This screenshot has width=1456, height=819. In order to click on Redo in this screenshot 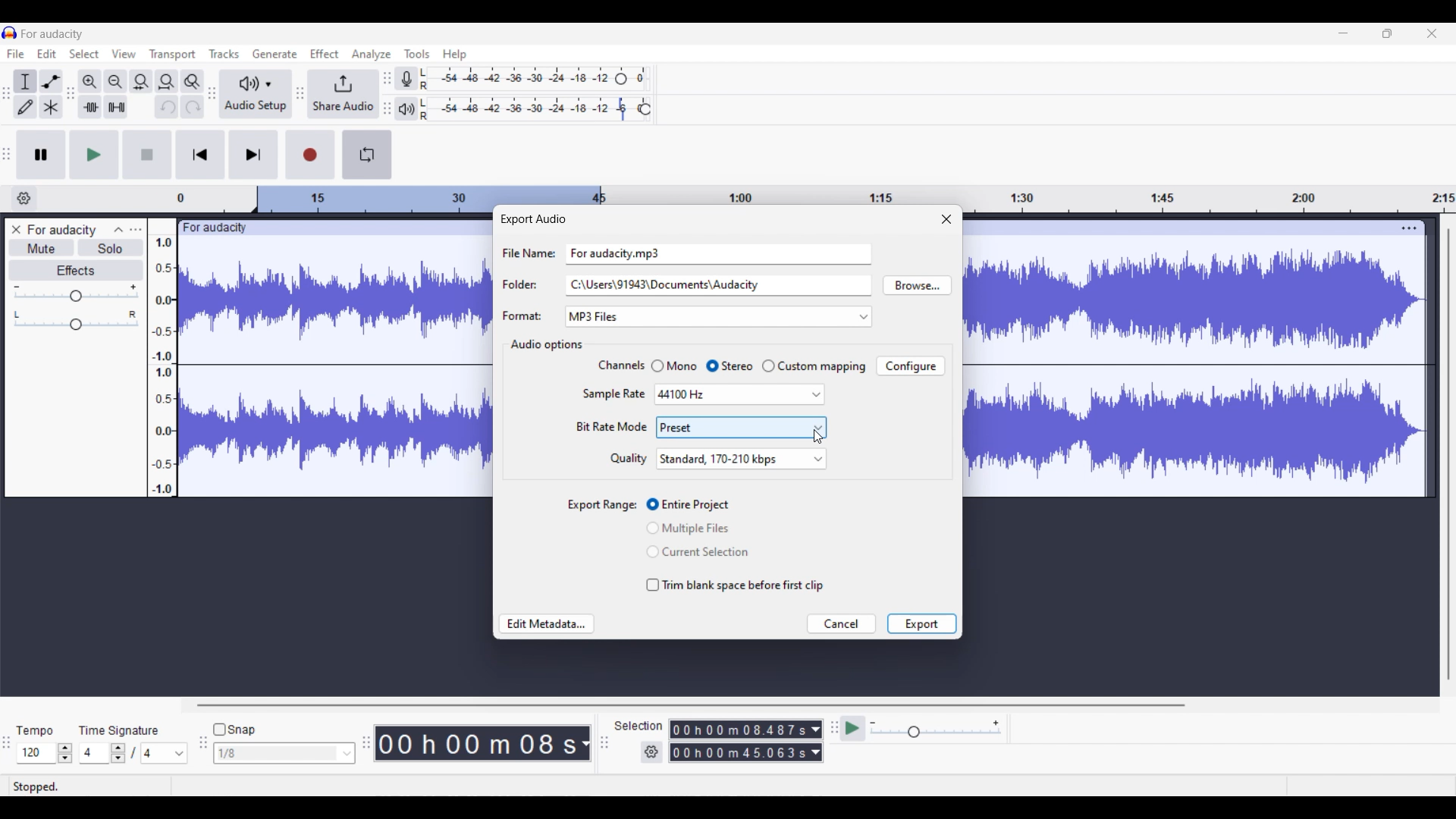, I will do `click(193, 106)`.